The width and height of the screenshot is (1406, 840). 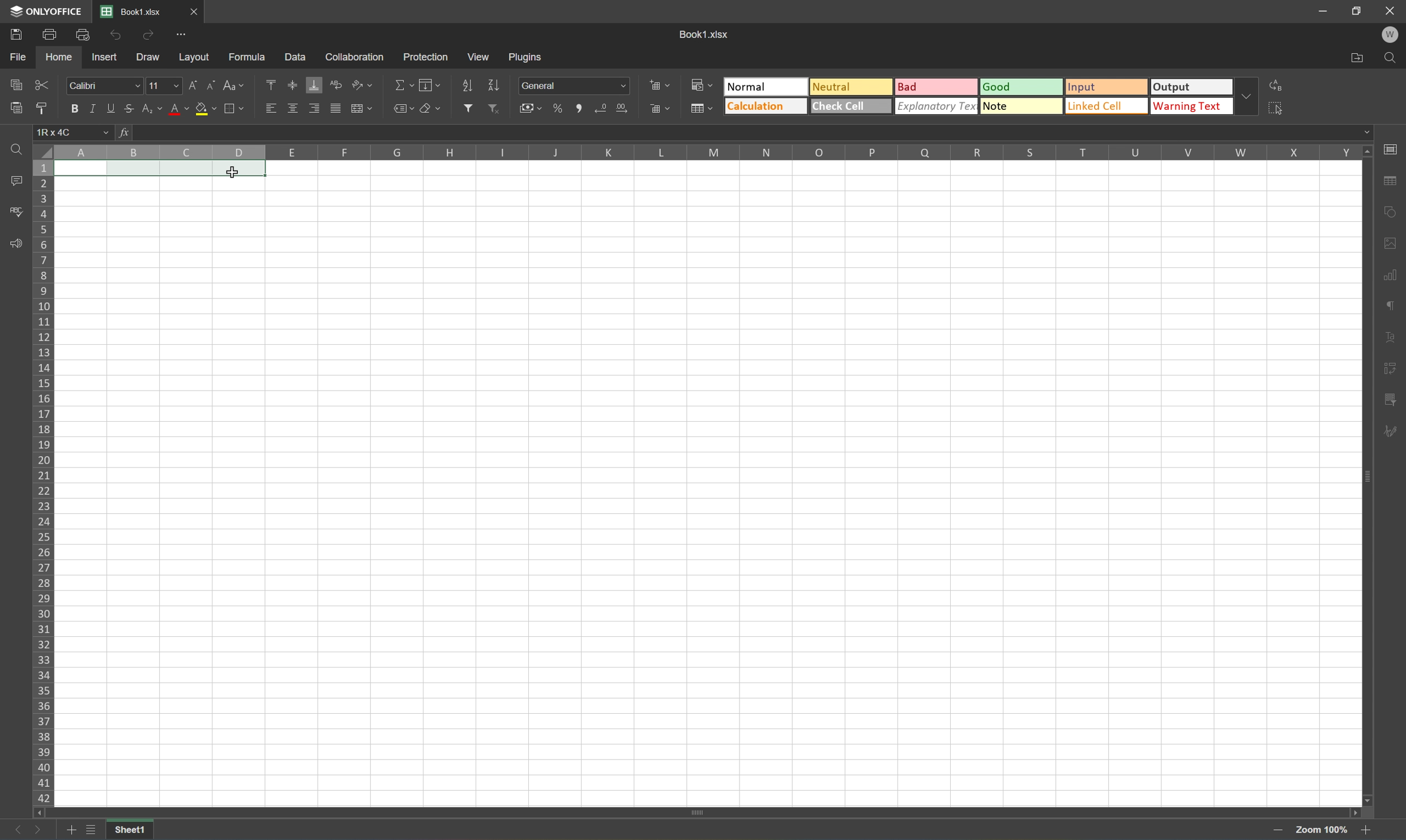 What do you see at coordinates (1388, 275) in the screenshot?
I see `Chart settings` at bounding box center [1388, 275].